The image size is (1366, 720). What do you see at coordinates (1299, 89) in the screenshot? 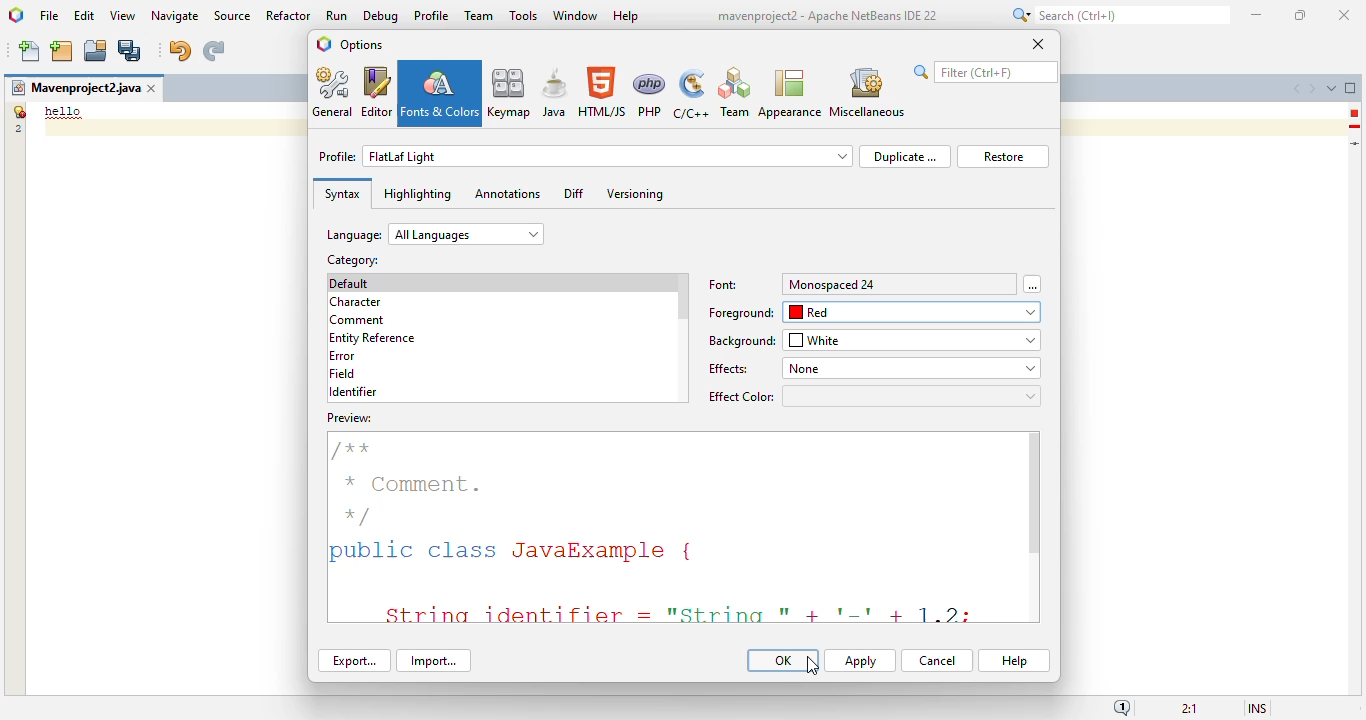
I see `scroll documents left` at bounding box center [1299, 89].